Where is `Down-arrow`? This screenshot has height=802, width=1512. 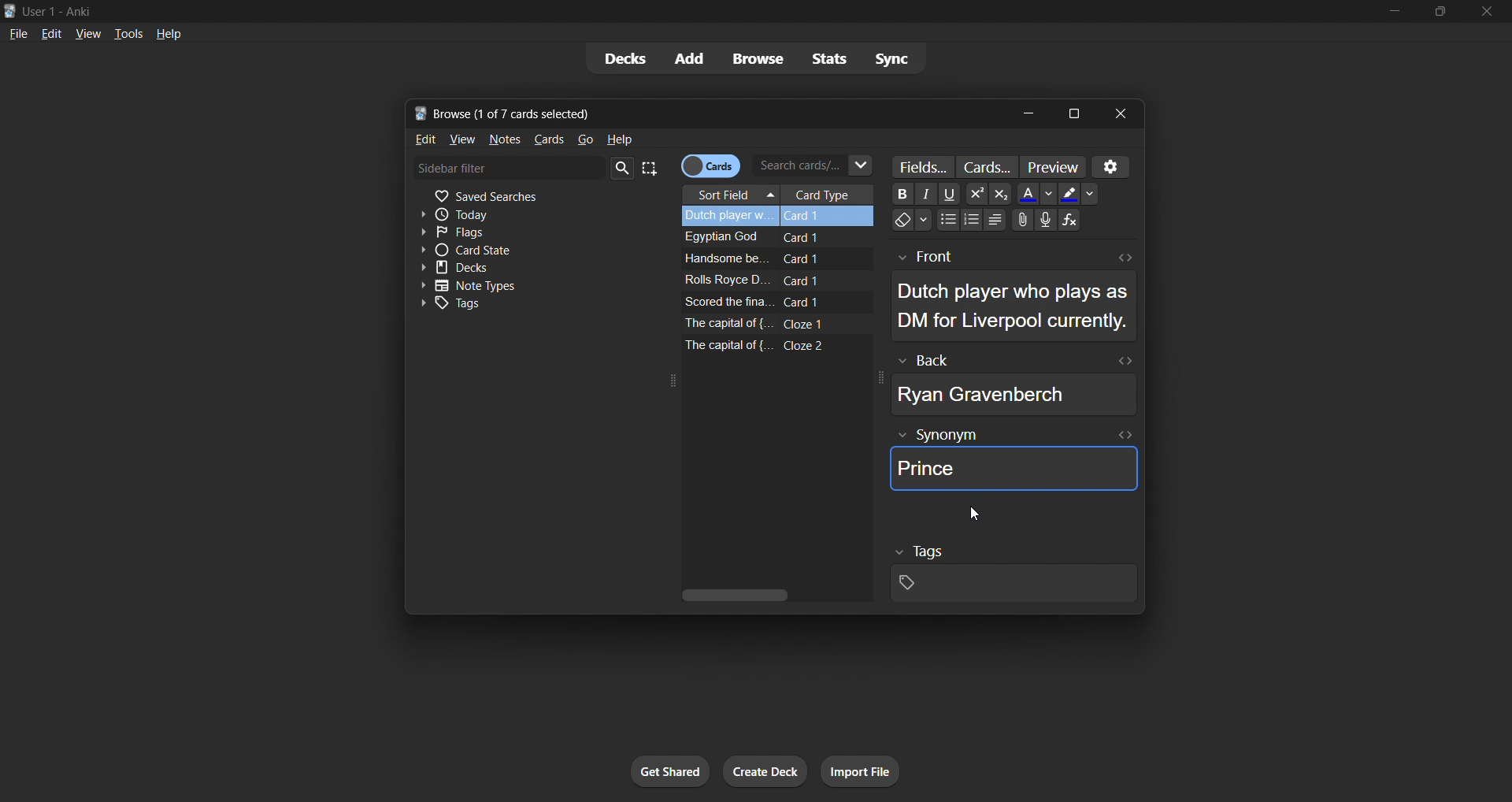 Down-arrow is located at coordinates (925, 221).